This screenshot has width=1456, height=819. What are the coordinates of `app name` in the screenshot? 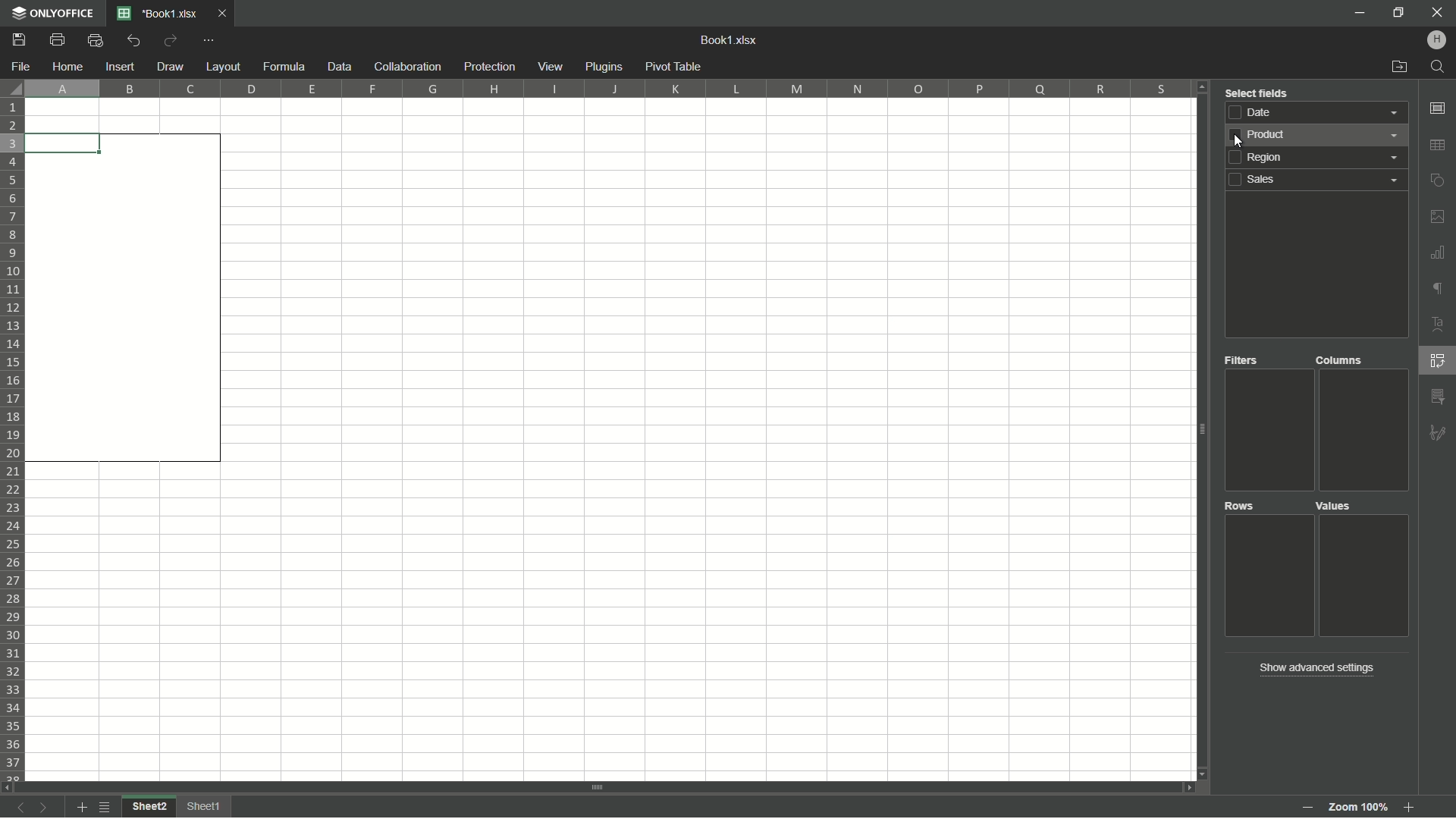 It's located at (52, 14).